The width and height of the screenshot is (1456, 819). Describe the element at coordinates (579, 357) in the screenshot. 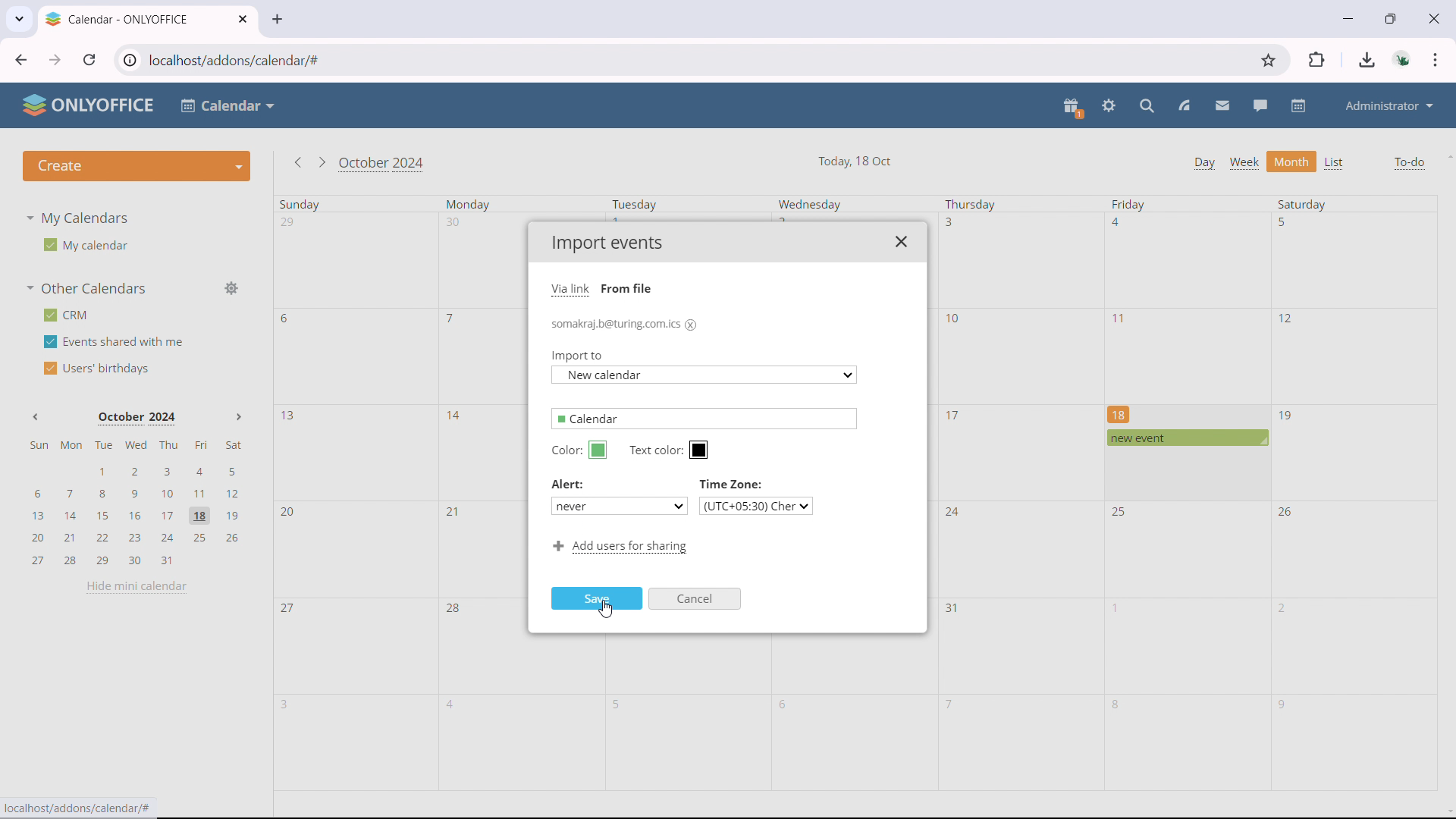

I see `Import to` at that location.